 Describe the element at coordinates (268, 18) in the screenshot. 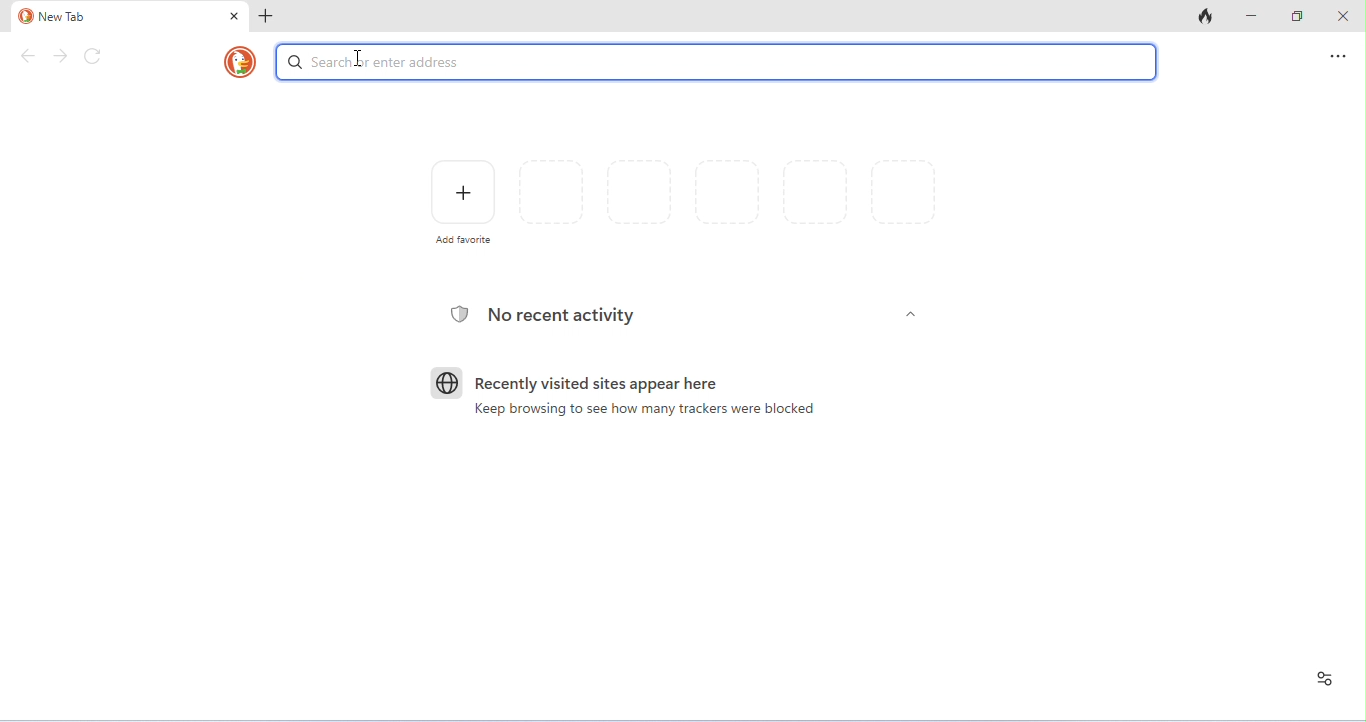

I see `add new tab` at that location.